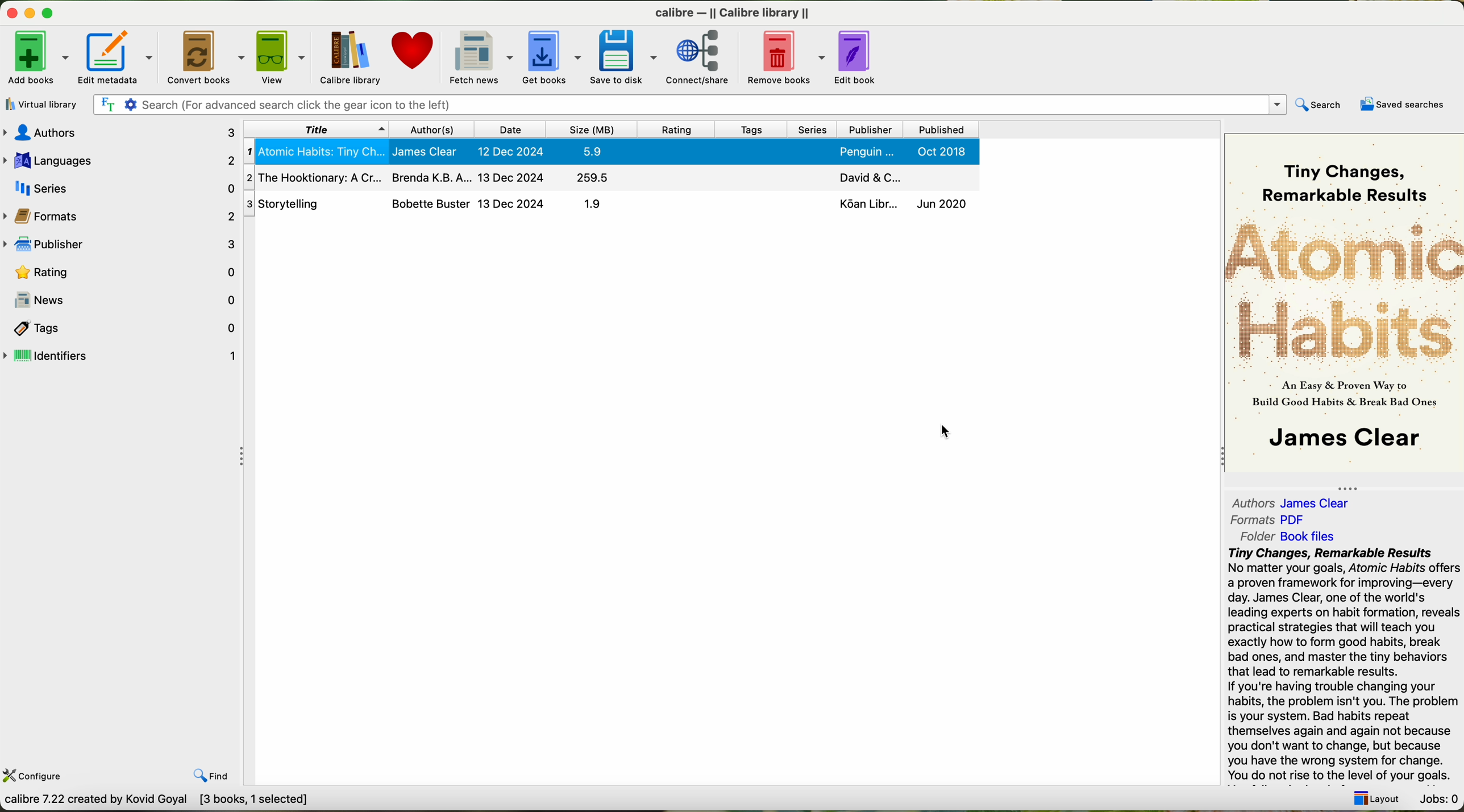  Describe the element at coordinates (210, 776) in the screenshot. I see `find` at that location.